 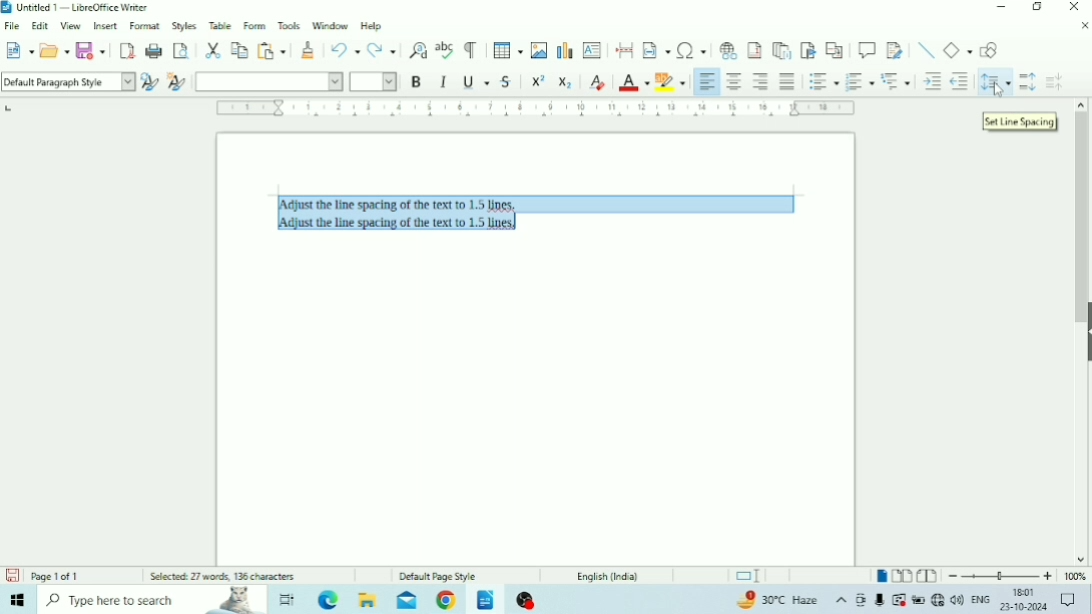 What do you see at coordinates (692, 49) in the screenshot?
I see `Insert Special Characters` at bounding box center [692, 49].